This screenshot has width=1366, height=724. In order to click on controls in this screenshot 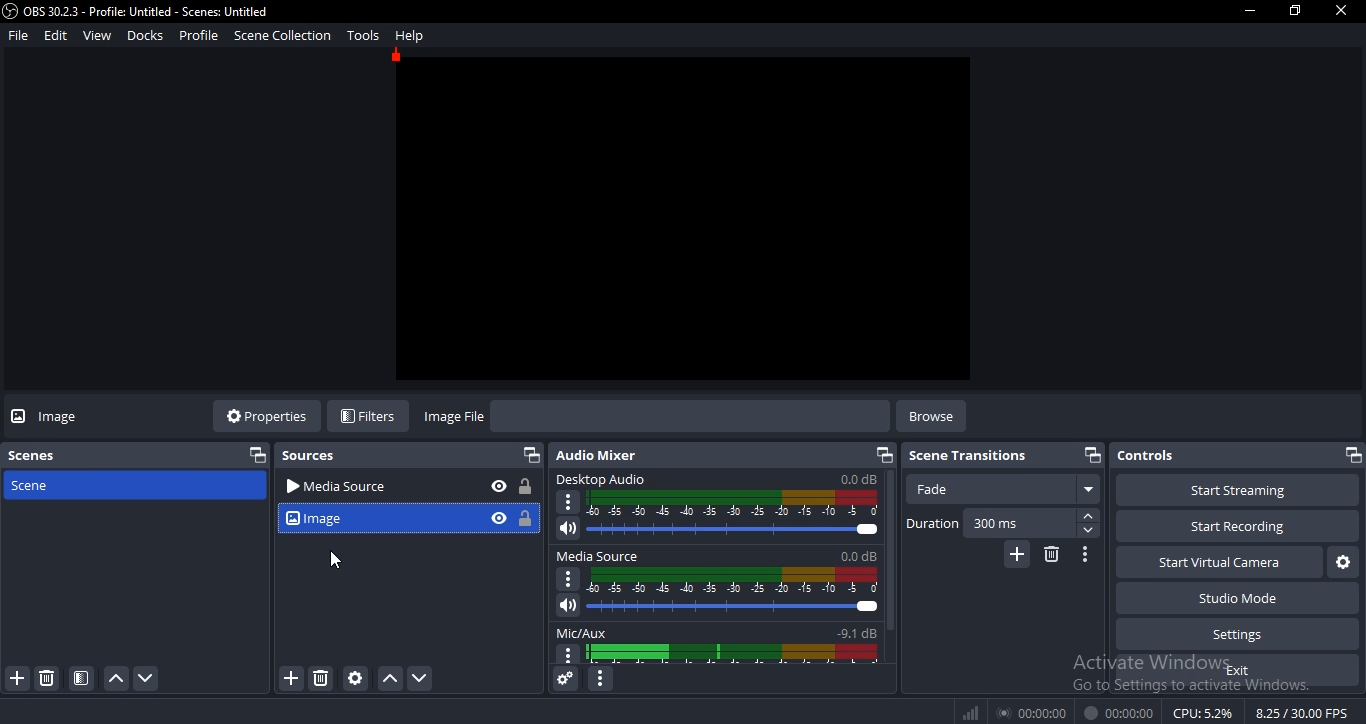, I will do `click(1225, 456)`.